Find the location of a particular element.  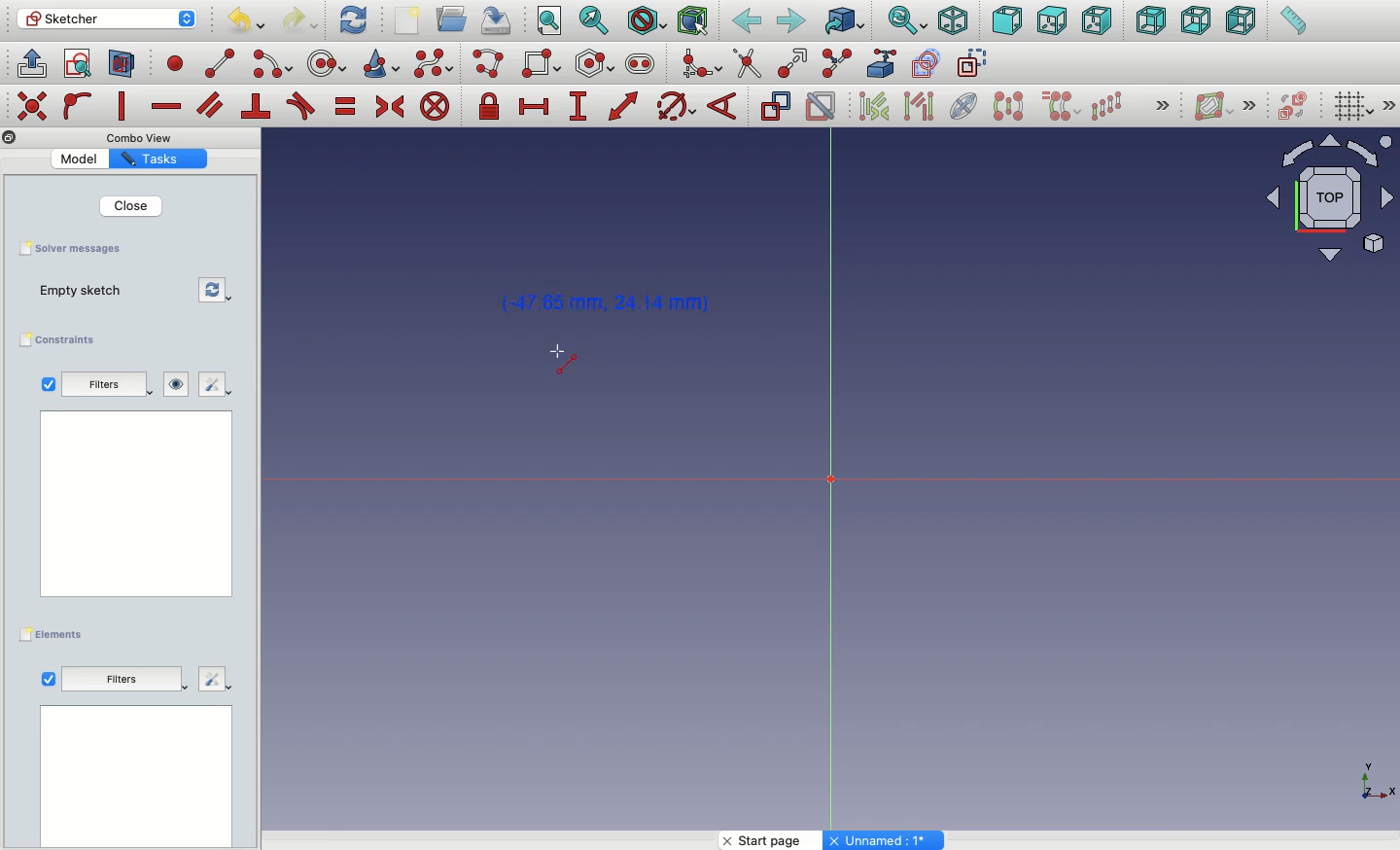

Filters is located at coordinates (109, 385).